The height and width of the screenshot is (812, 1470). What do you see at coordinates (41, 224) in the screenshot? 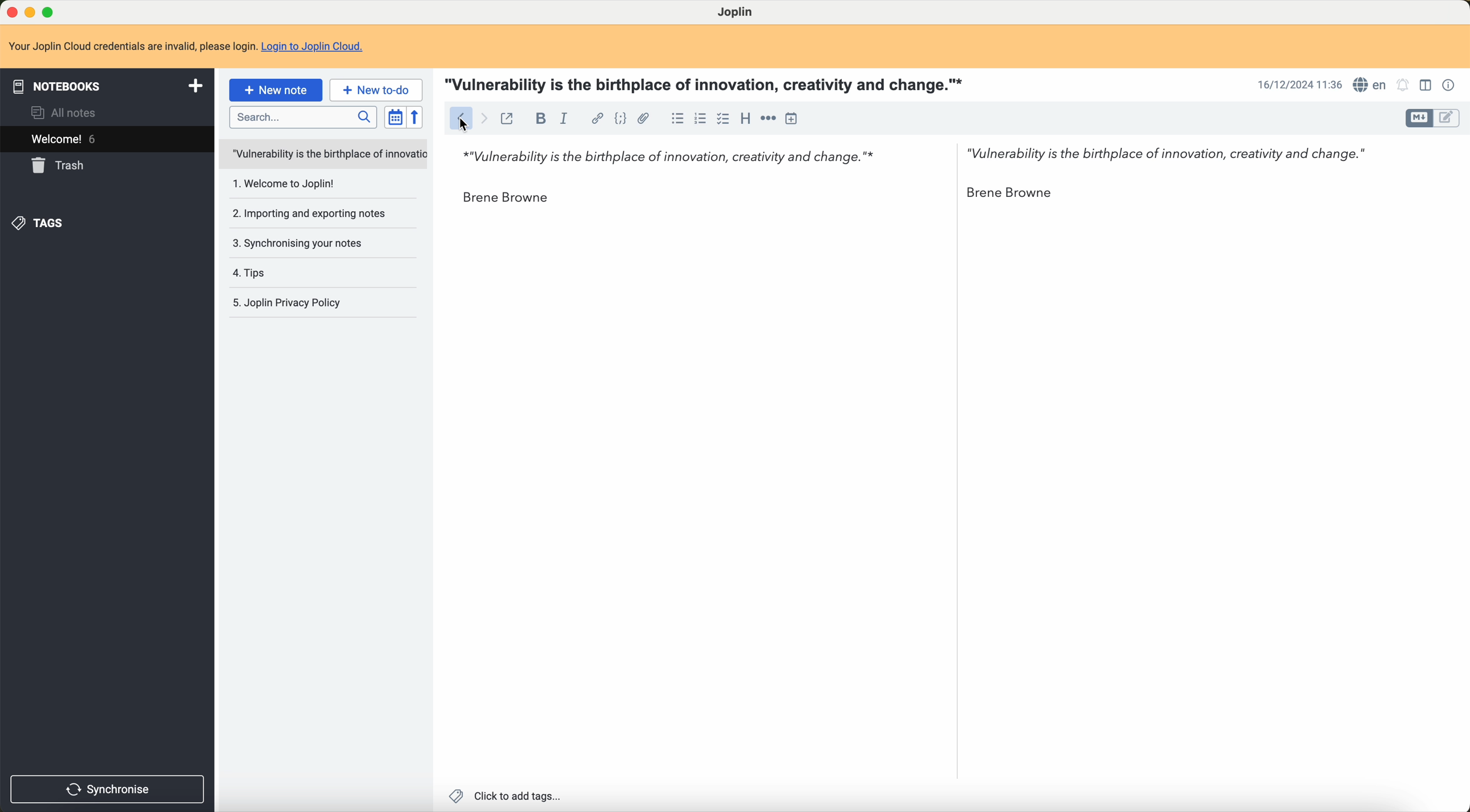
I see `tags` at bounding box center [41, 224].